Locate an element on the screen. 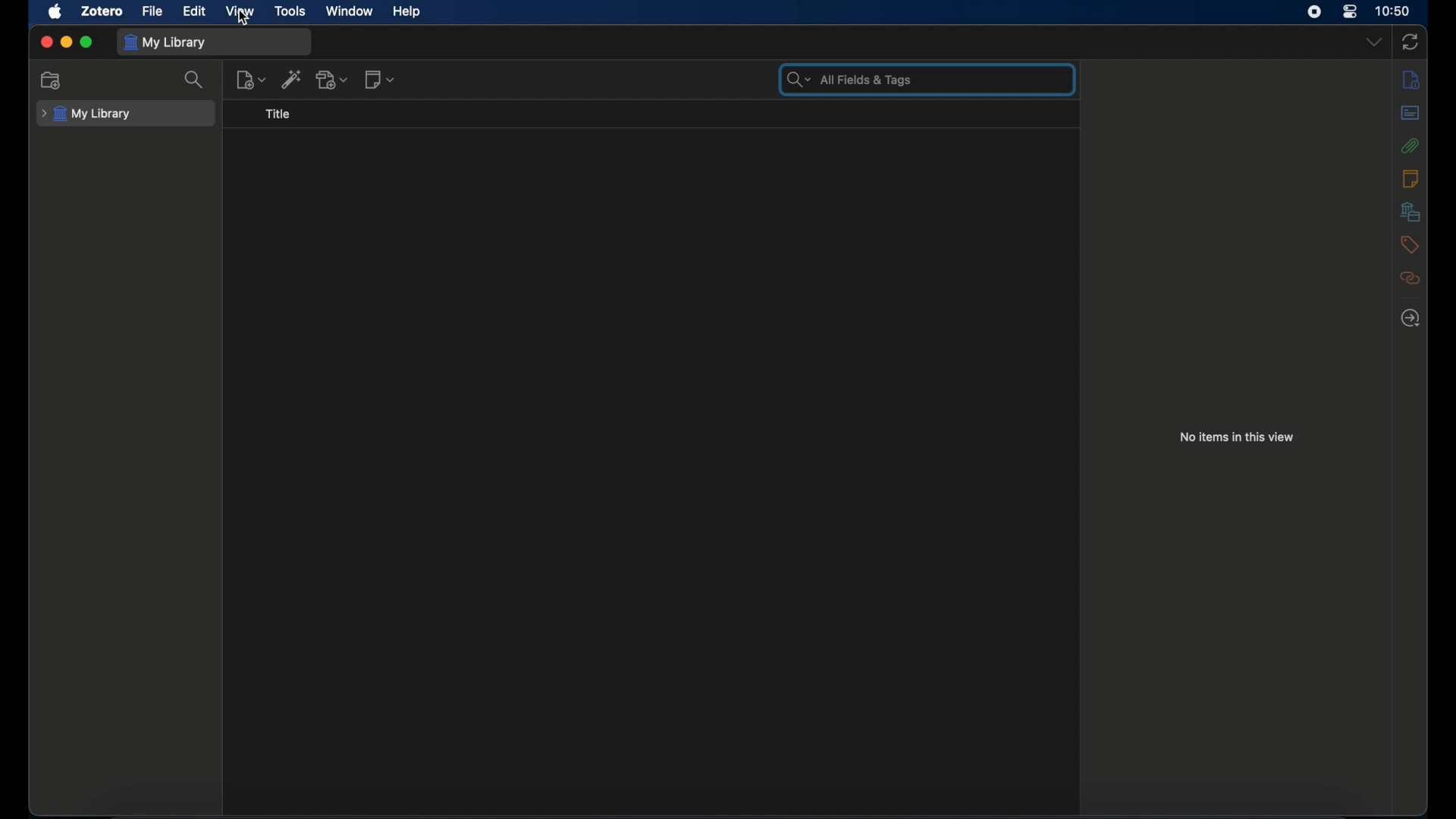  locate is located at coordinates (1411, 318).